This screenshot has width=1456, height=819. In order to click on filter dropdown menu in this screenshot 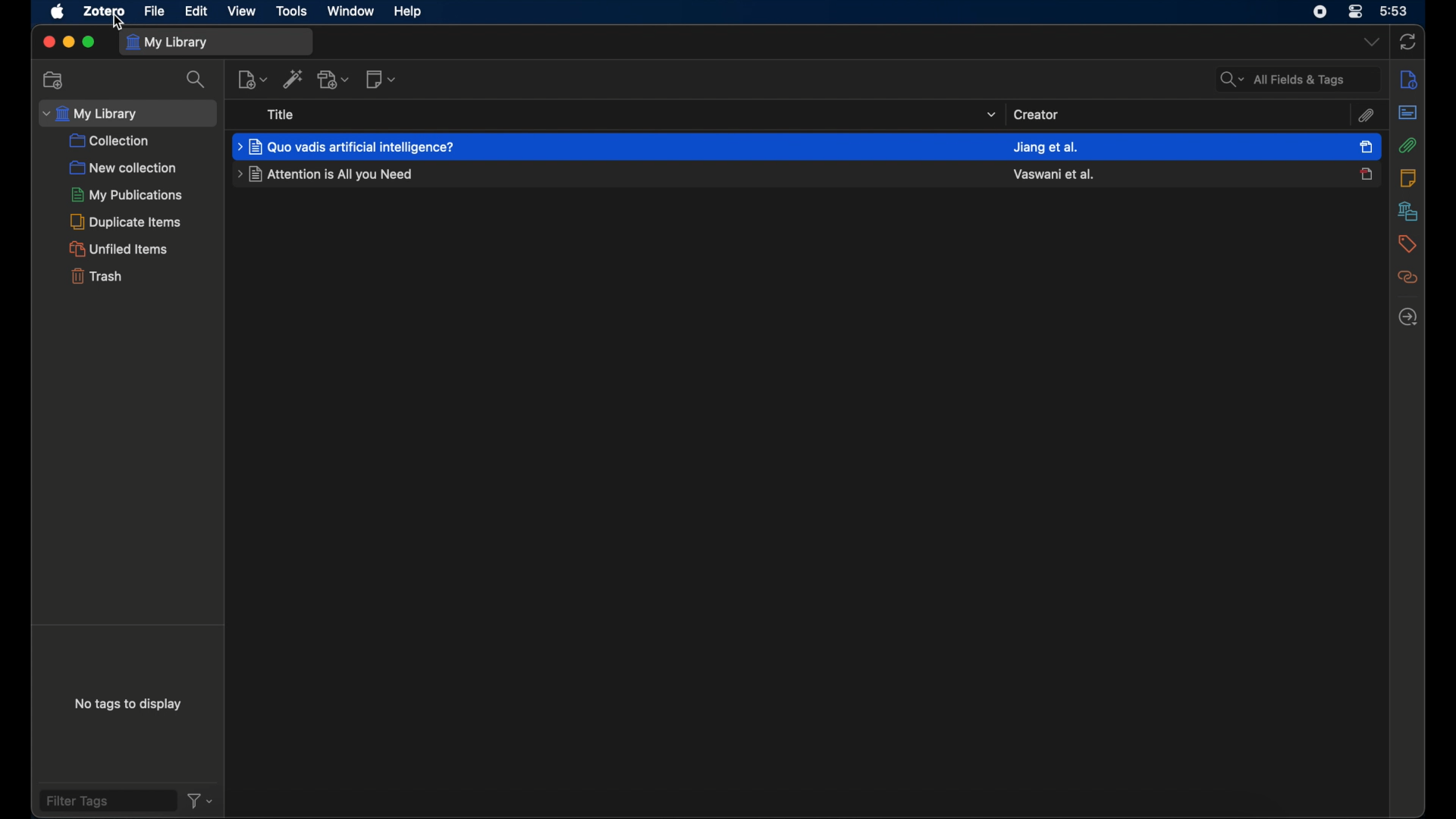, I will do `click(200, 801)`.